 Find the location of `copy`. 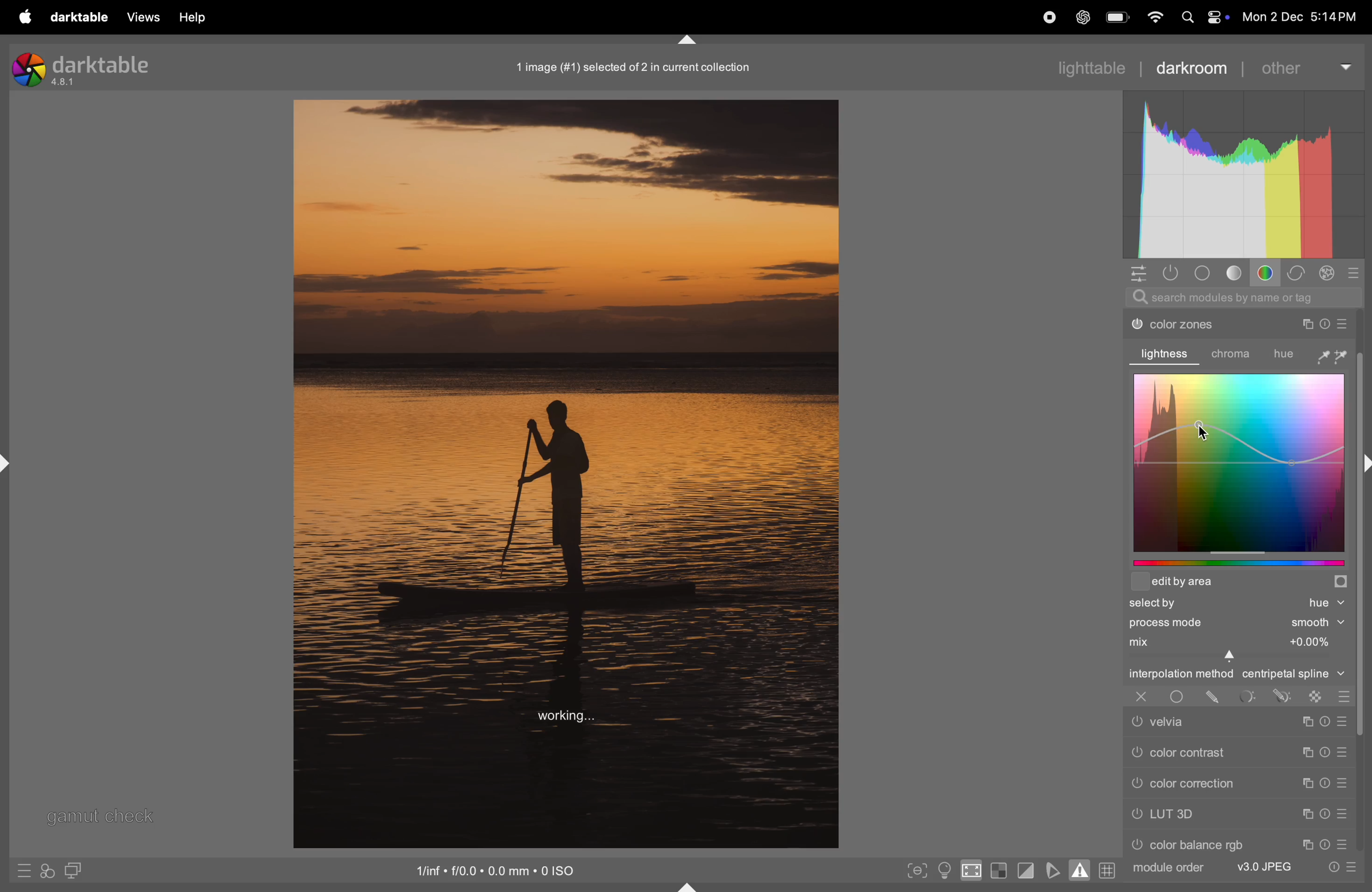

copy is located at coordinates (1306, 783).